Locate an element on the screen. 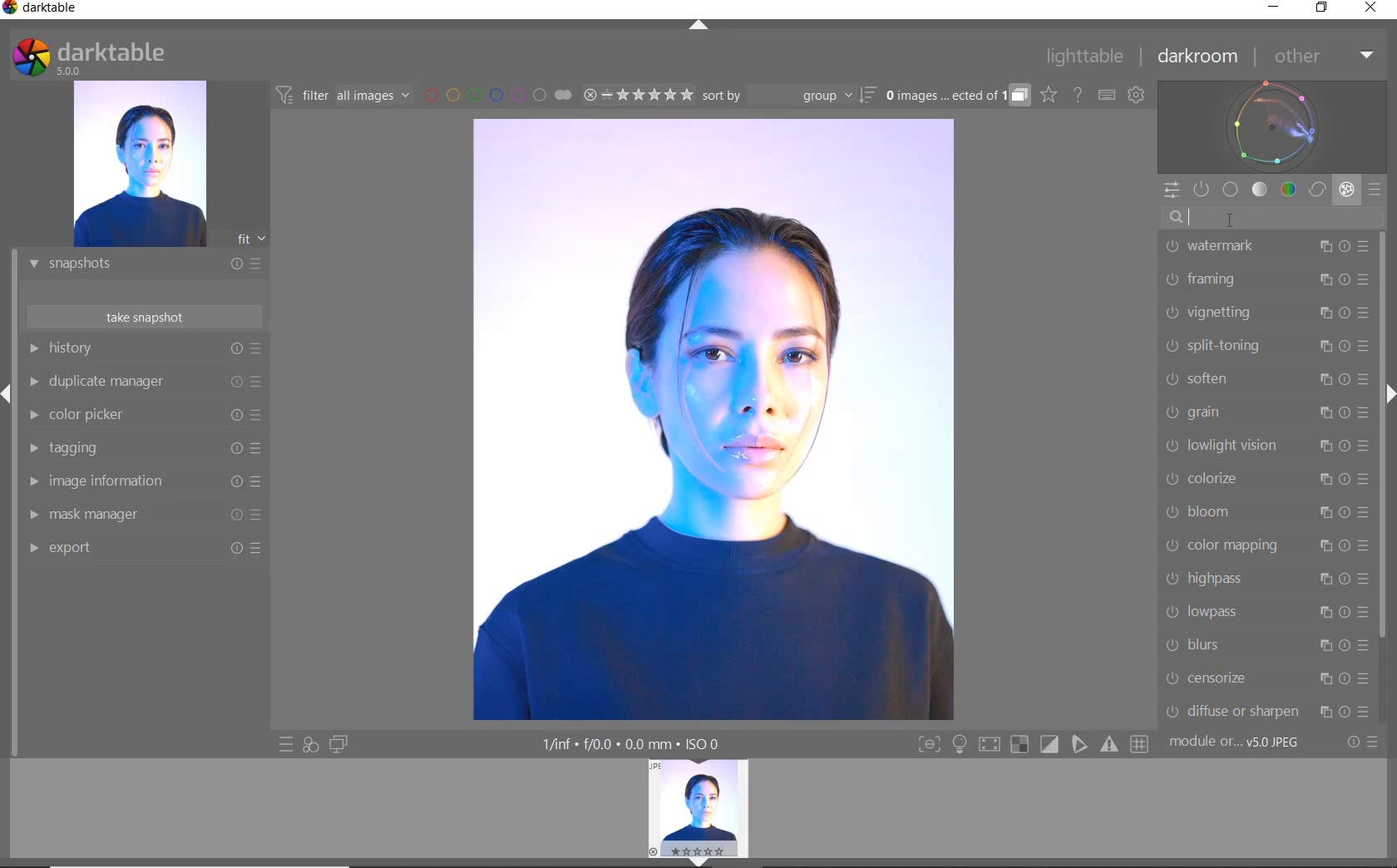 This screenshot has height=868, width=1397. IMAGE INFORMATION is located at coordinates (139, 486).